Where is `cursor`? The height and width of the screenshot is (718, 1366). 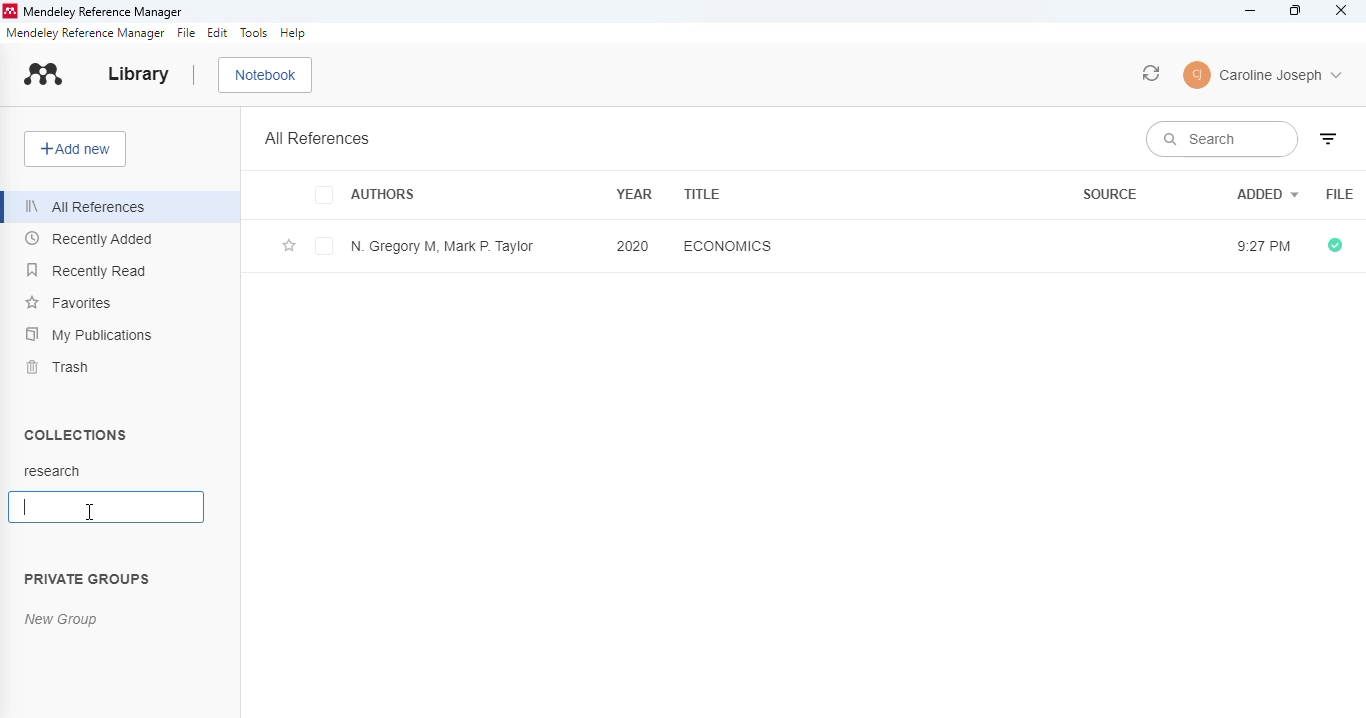
cursor is located at coordinates (90, 512).